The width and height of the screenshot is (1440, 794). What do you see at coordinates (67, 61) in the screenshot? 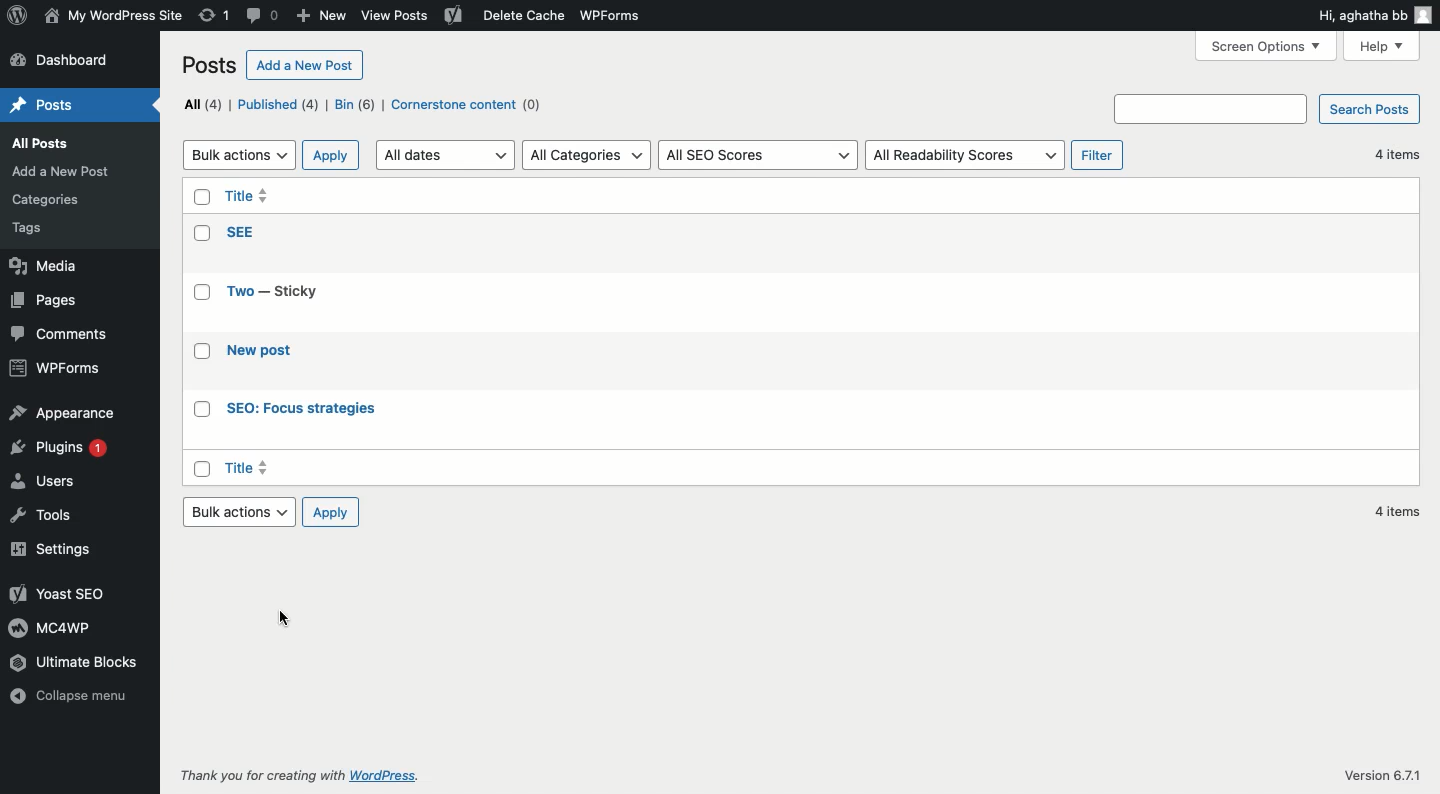
I see `Dashboard` at bounding box center [67, 61].